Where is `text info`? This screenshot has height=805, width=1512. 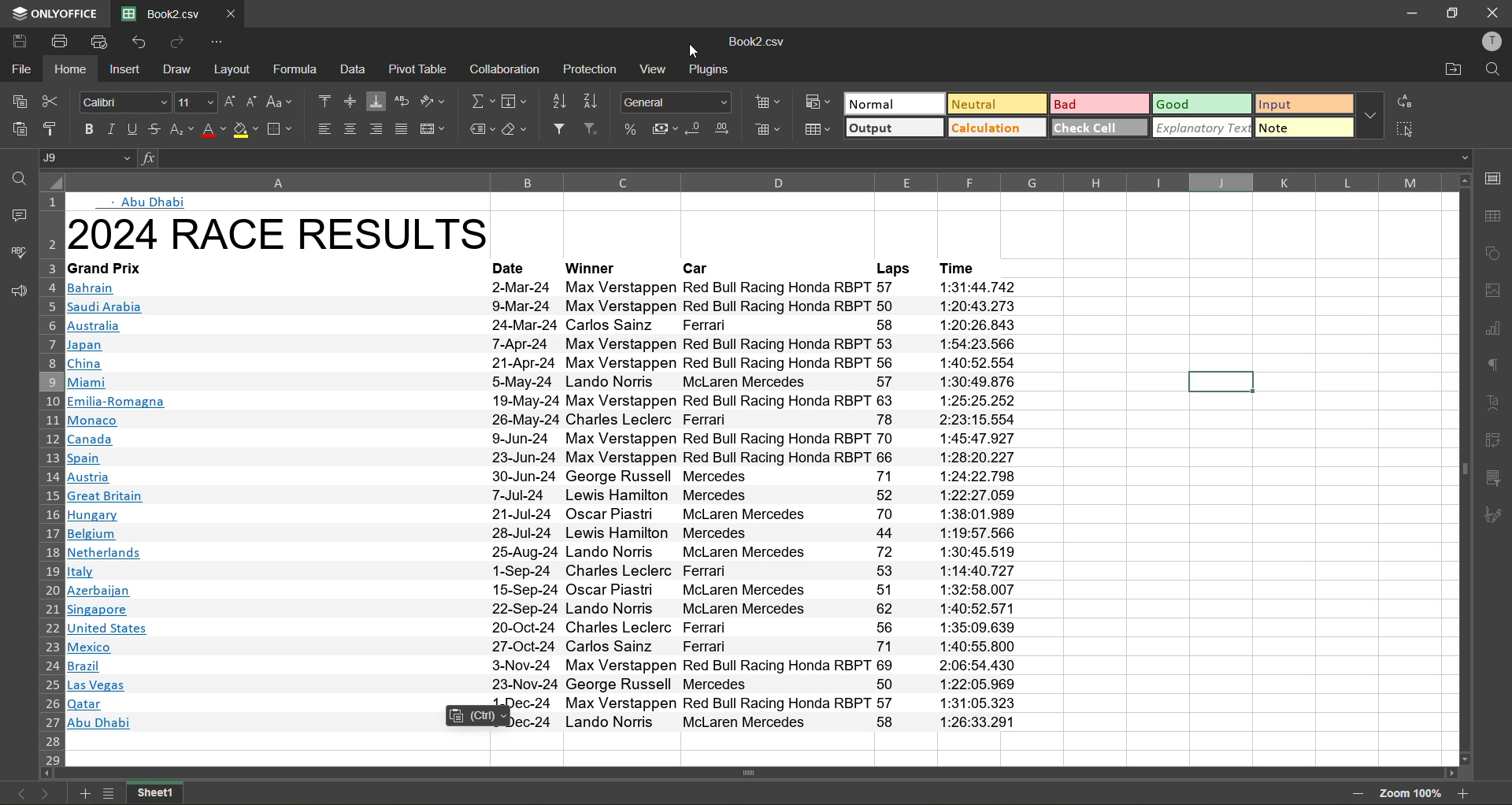 text info is located at coordinates (547, 363).